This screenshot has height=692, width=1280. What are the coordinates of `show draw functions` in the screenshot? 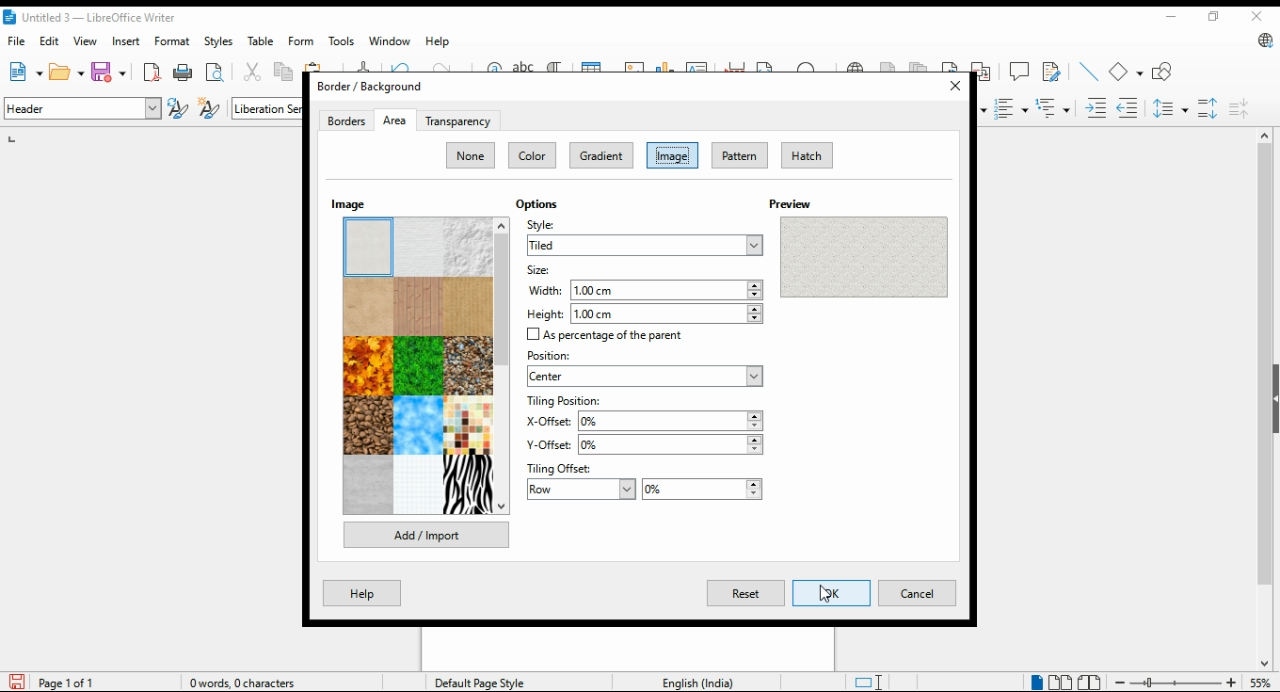 It's located at (1165, 72).